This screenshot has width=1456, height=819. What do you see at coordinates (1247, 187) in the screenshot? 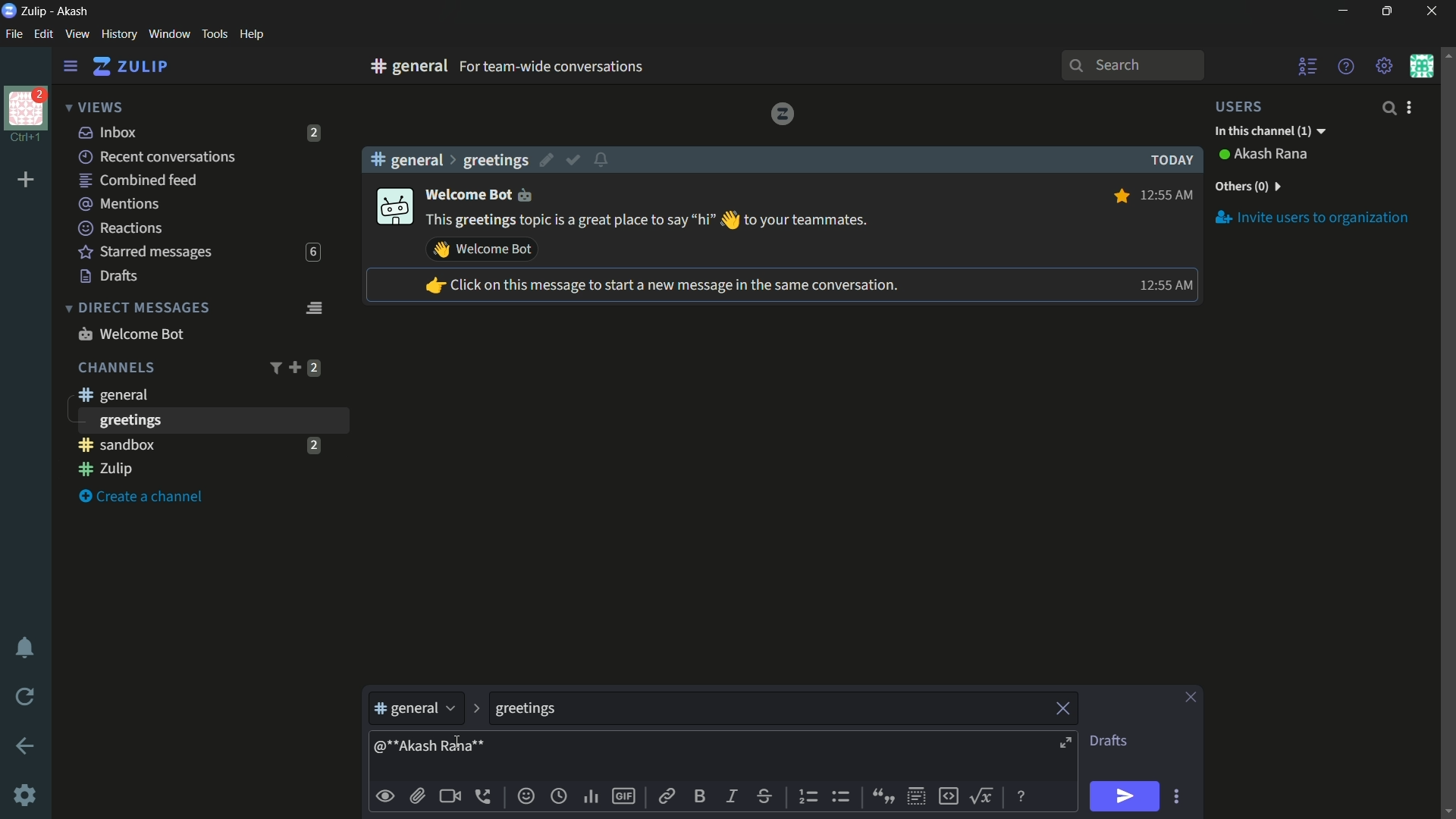
I see `others (0)` at bounding box center [1247, 187].